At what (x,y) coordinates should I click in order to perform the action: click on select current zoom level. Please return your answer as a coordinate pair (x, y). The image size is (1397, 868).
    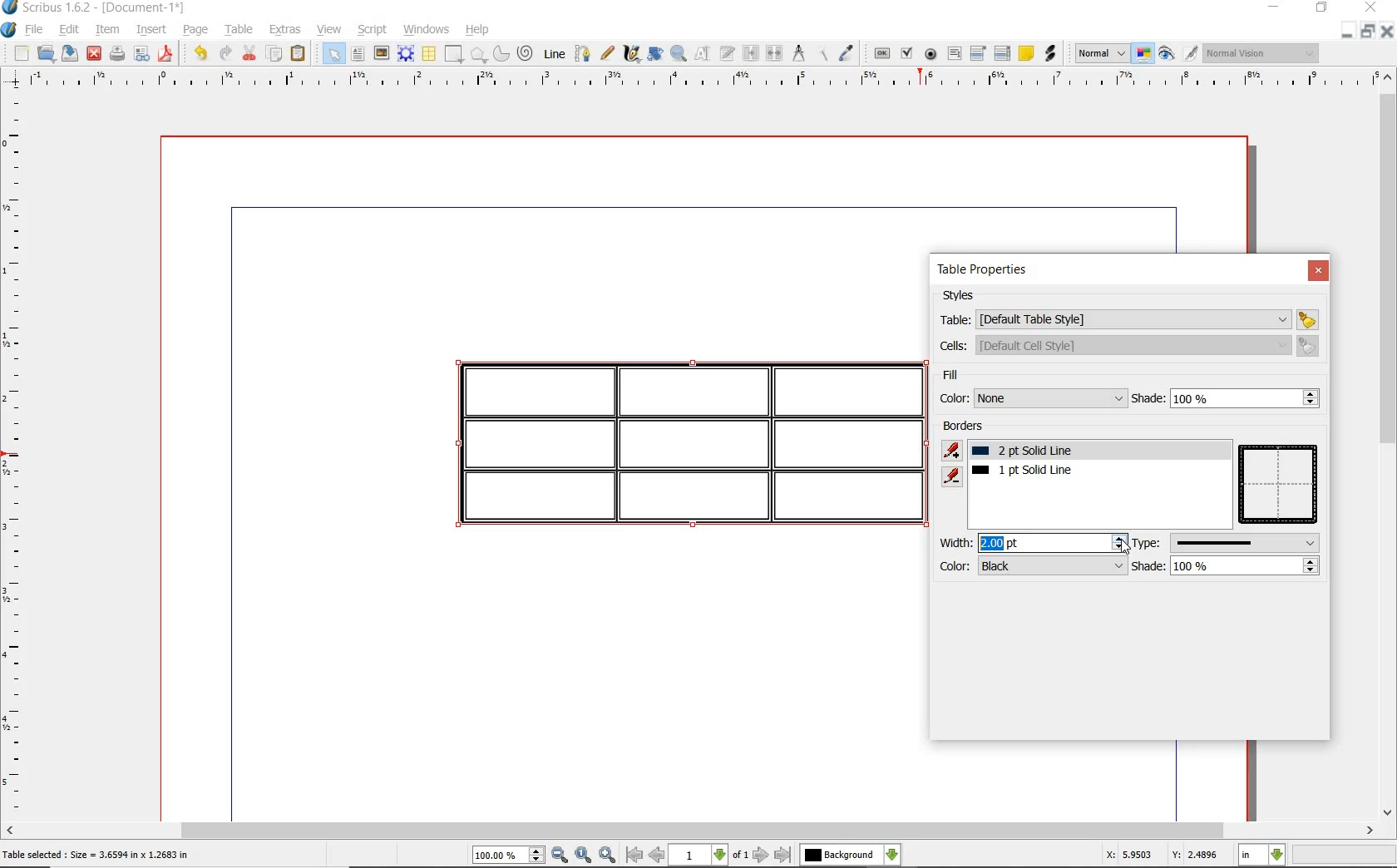
    Looking at the image, I should click on (509, 856).